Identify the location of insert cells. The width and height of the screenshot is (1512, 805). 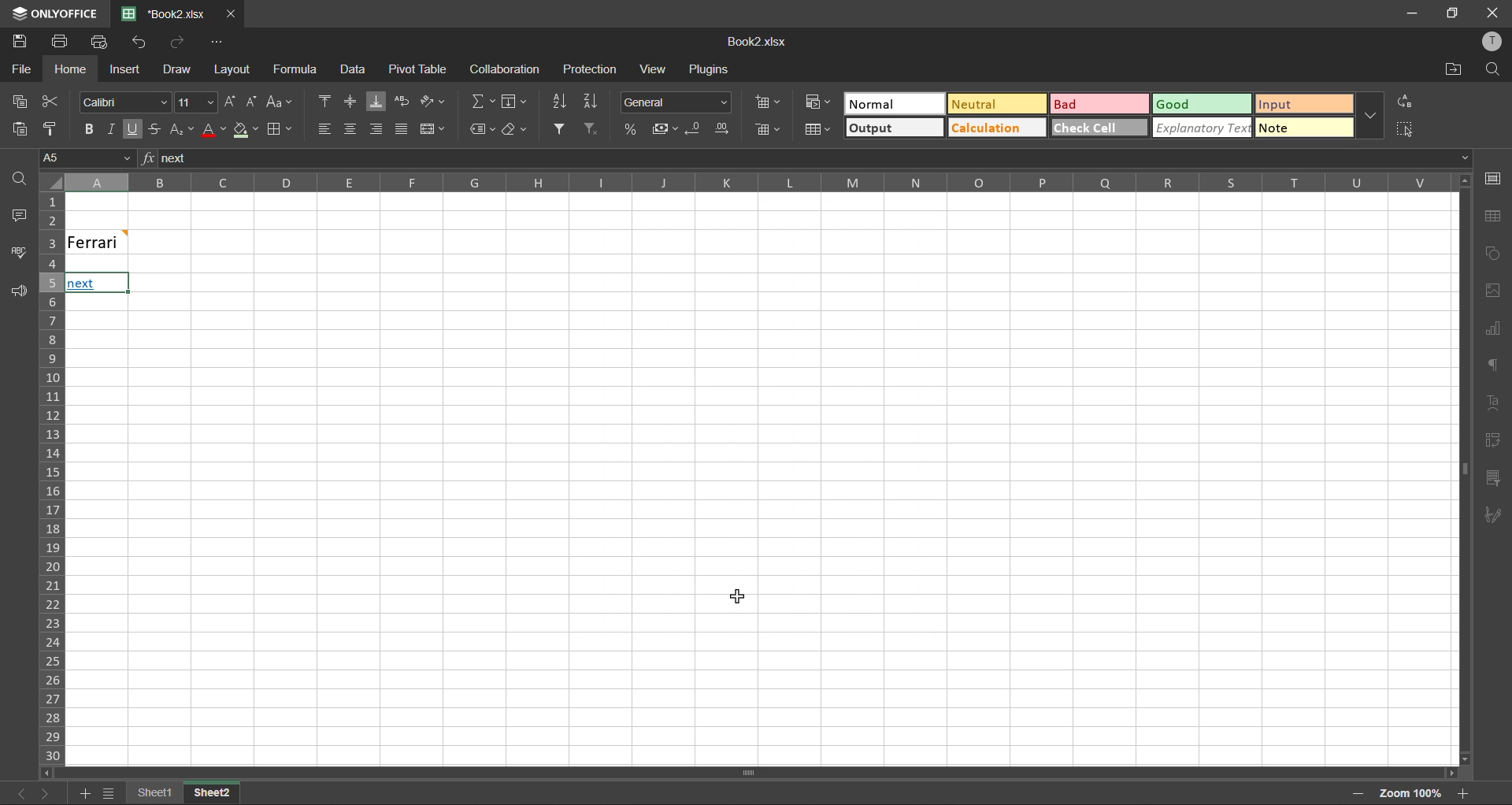
(768, 103).